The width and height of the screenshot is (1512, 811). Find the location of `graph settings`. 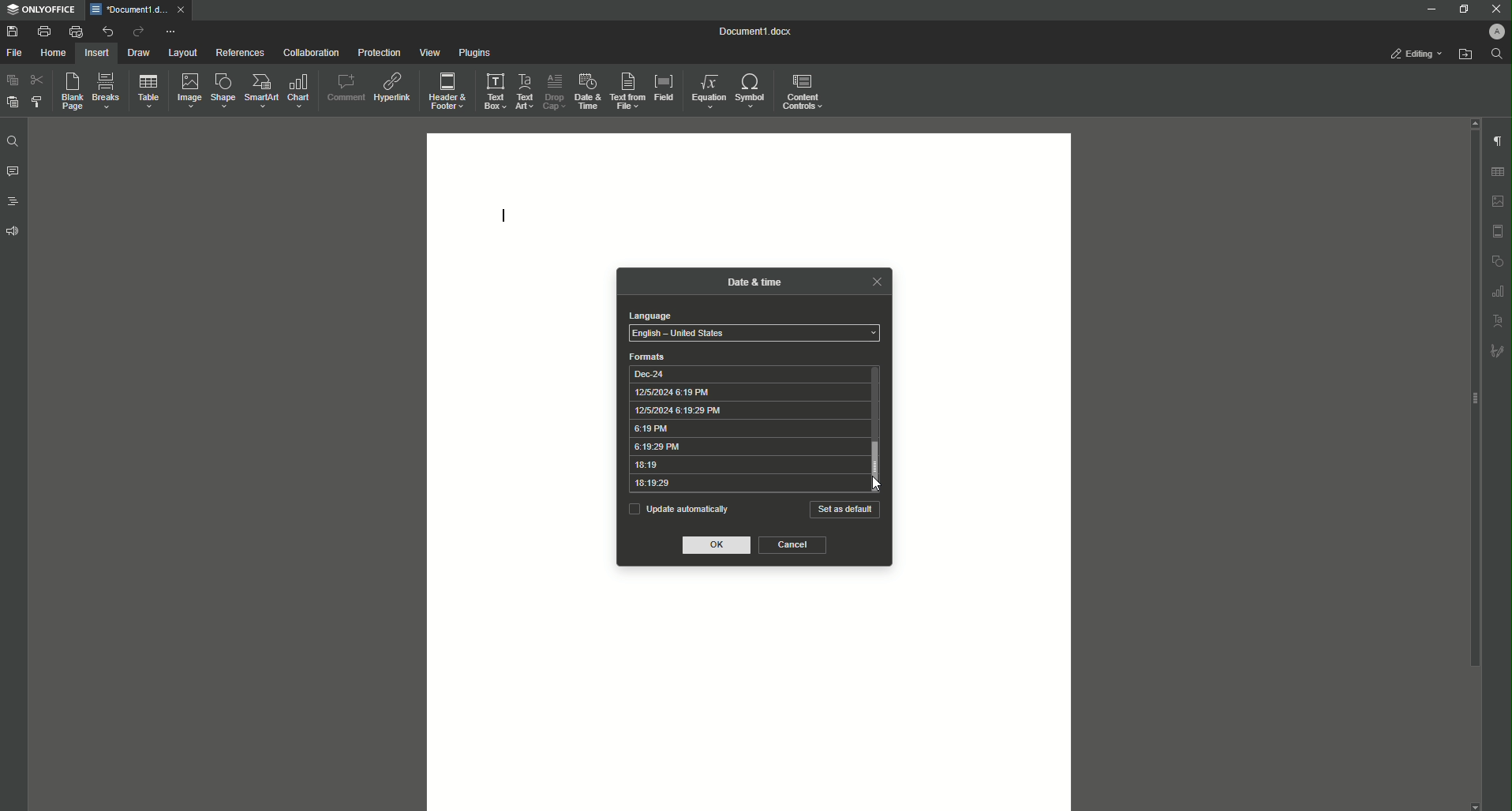

graph settings is located at coordinates (1498, 290).